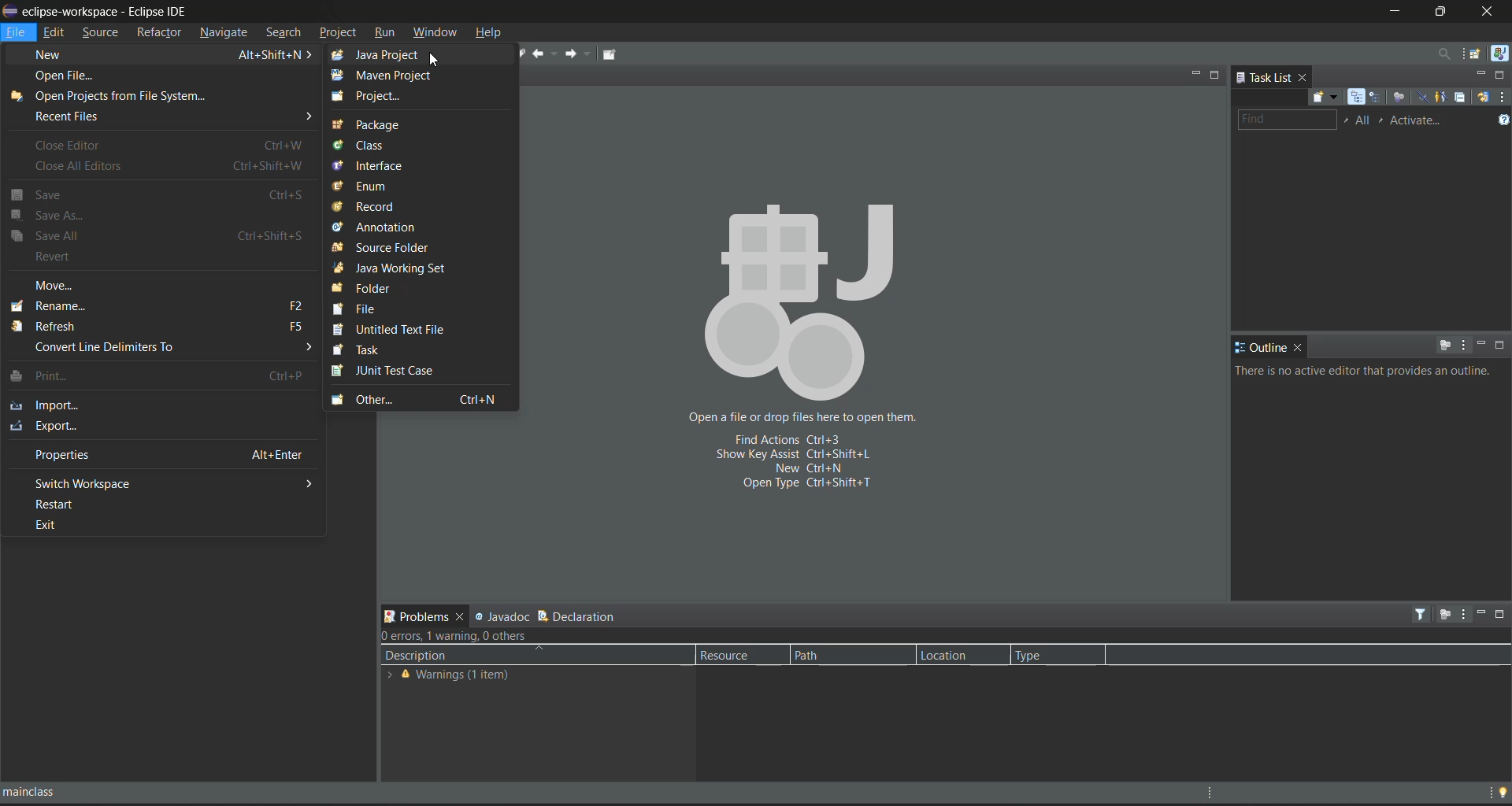  Describe the element at coordinates (1261, 348) in the screenshot. I see `outline` at that location.